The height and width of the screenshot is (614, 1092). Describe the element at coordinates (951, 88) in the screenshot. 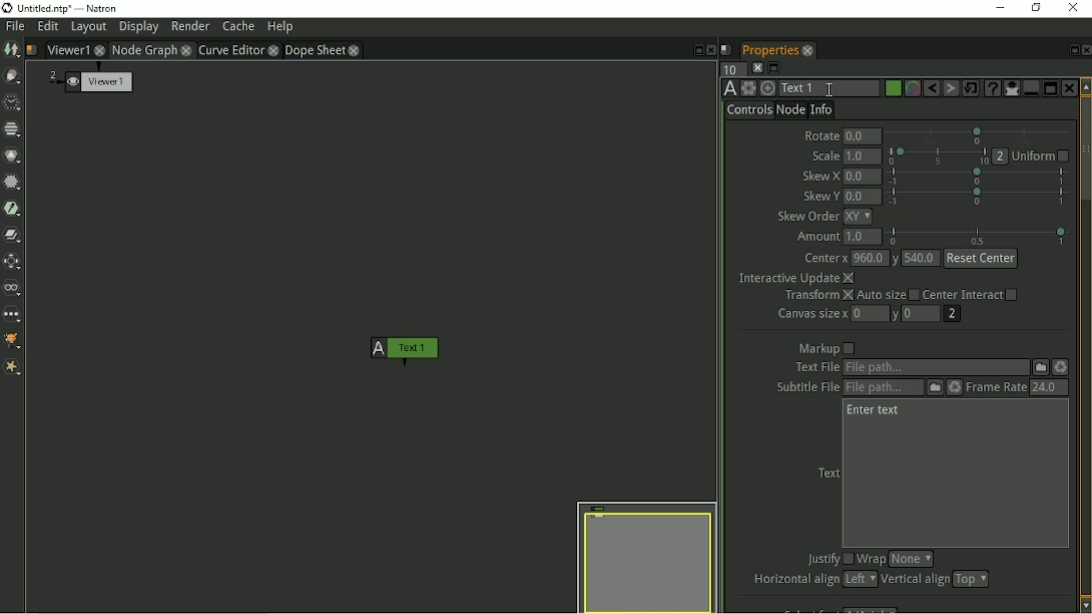

I see `Redo` at that location.